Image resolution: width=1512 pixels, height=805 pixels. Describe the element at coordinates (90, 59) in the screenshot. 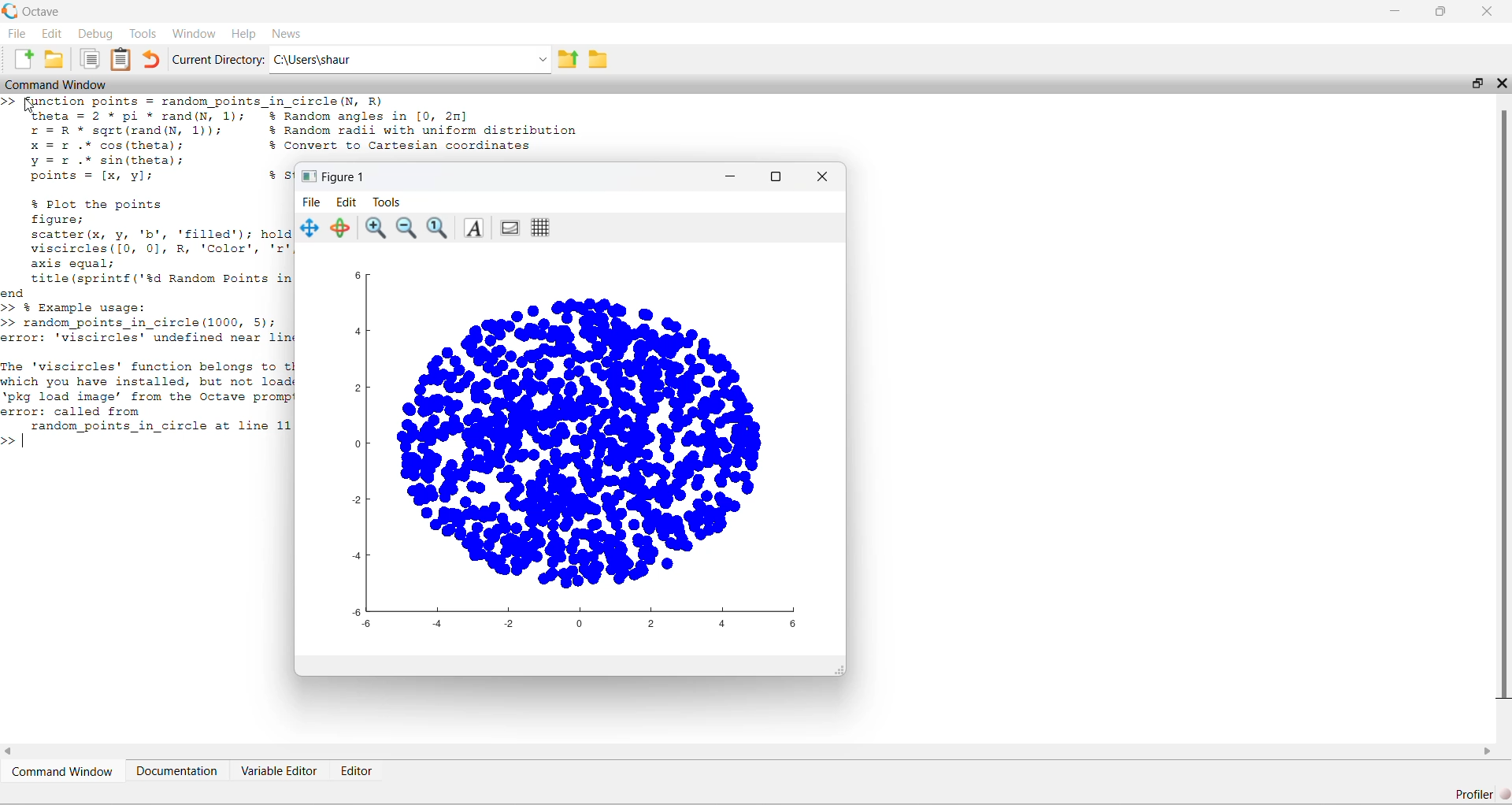

I see `Copy` at that location.